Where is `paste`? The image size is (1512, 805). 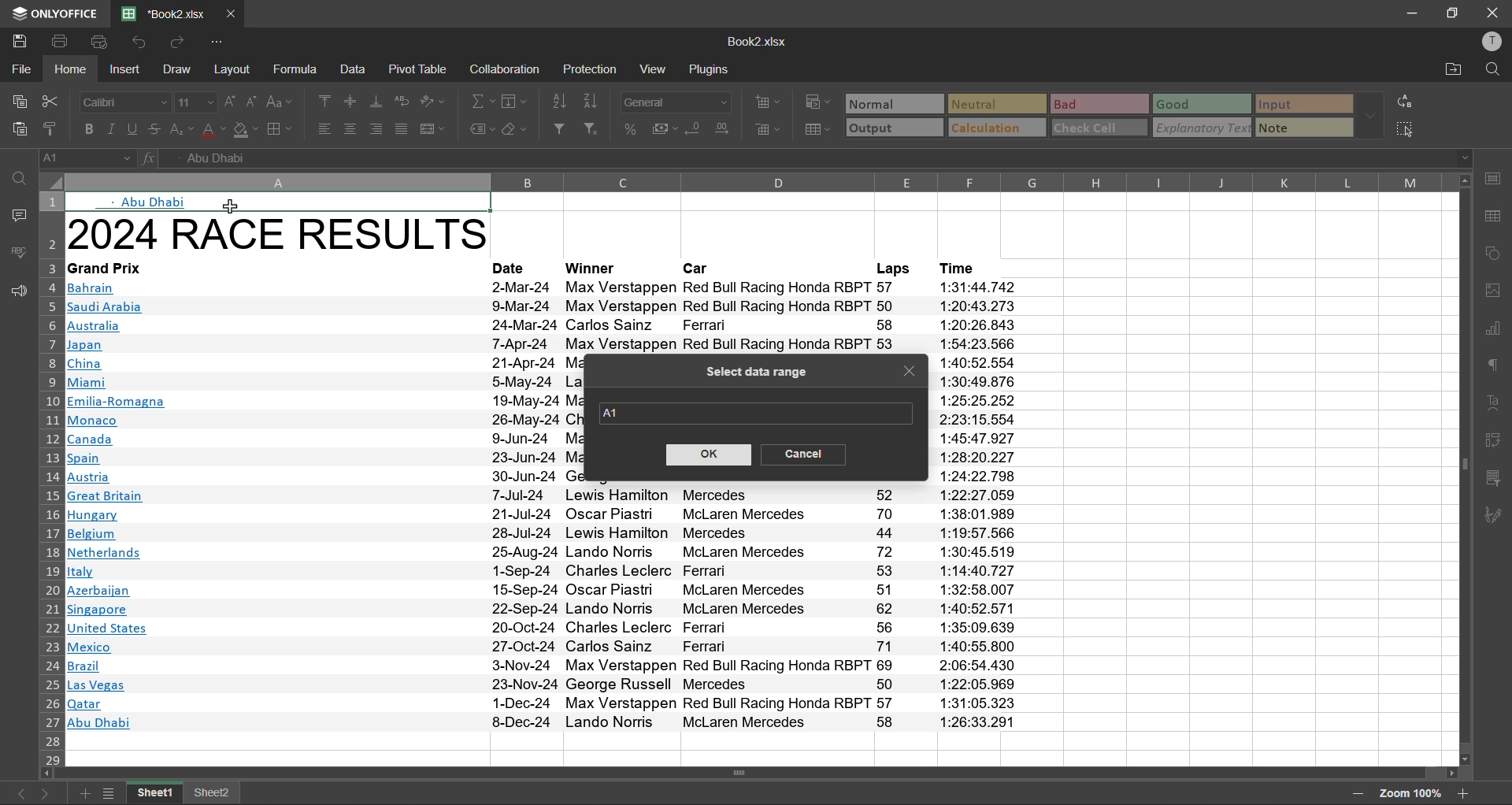 paste is located at coordinates (15, 128).